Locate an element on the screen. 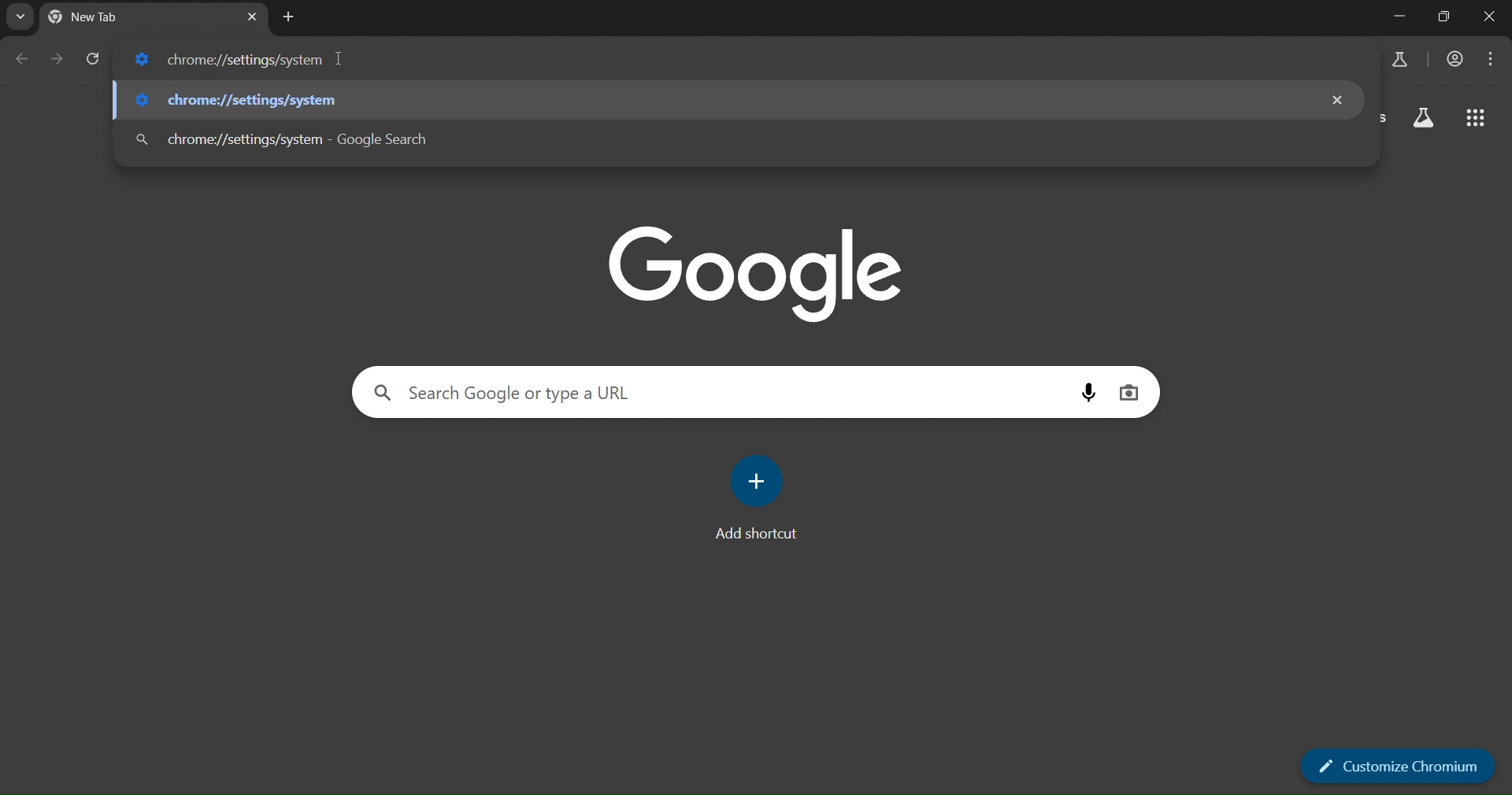 The image size is (1512, 795). search labs is located at coordinates (1399, 58).